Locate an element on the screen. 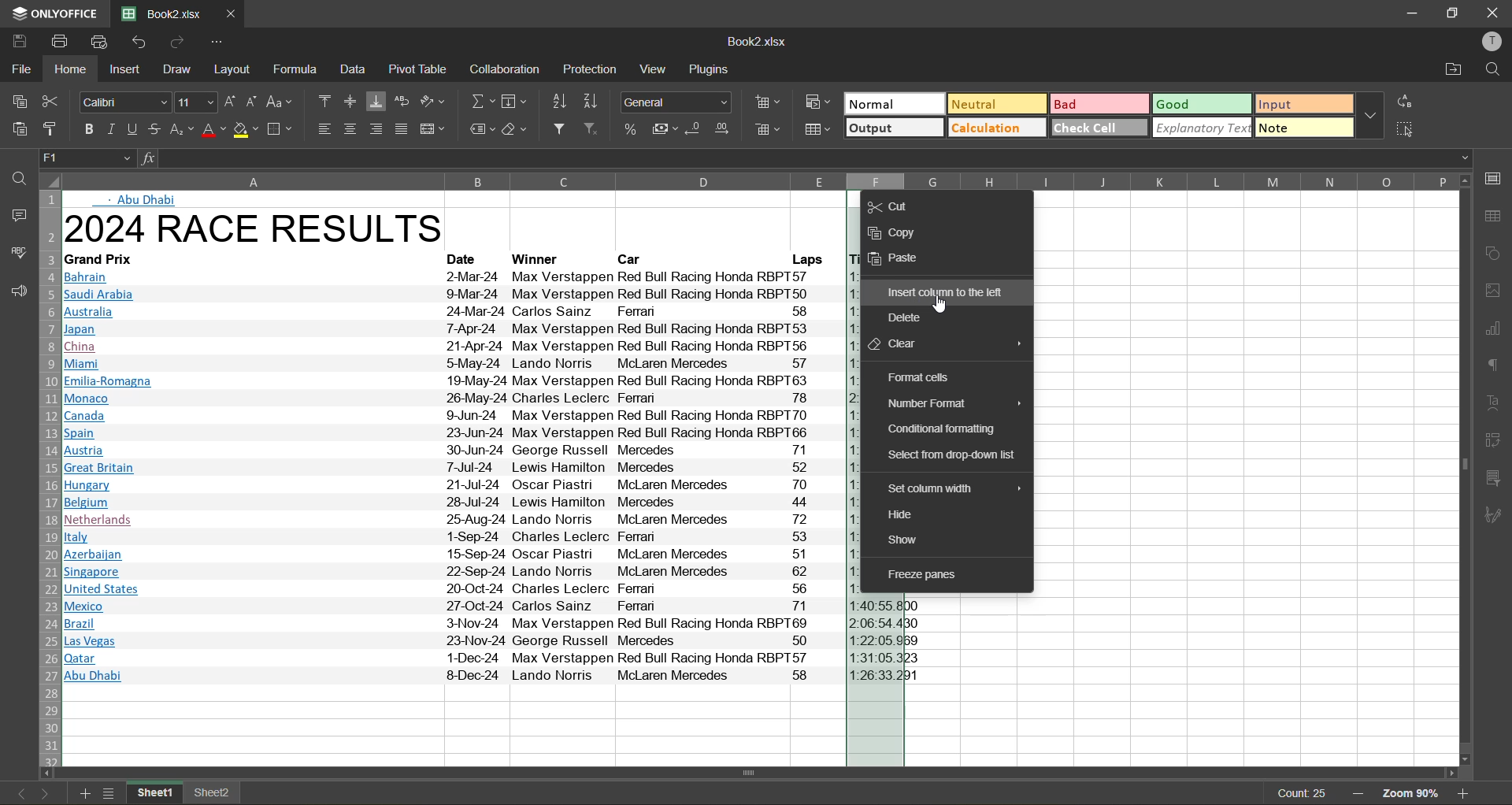  replace is located at coordinates (1408, 103).